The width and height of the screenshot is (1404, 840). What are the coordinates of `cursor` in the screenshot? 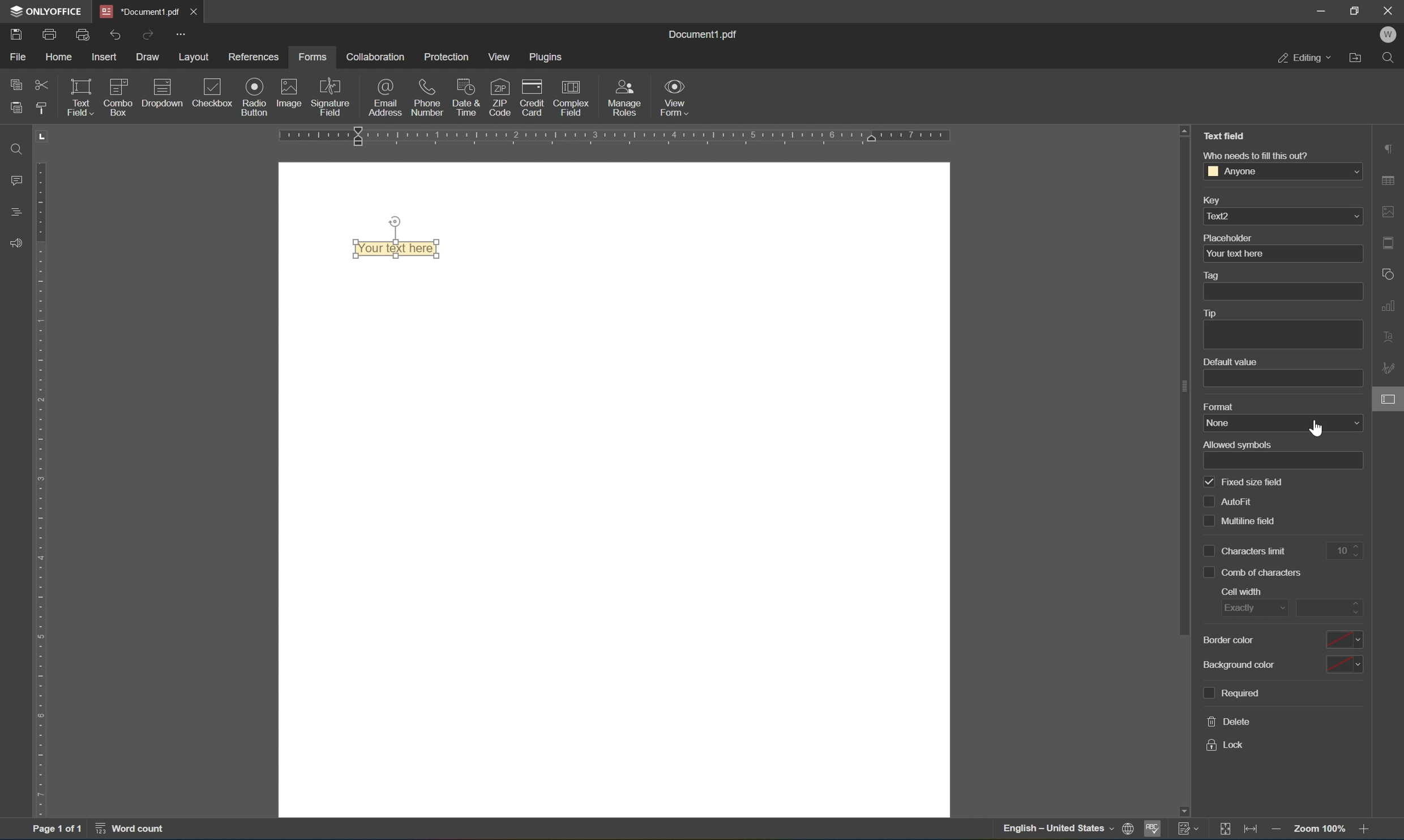 It's located at (1319, 428).